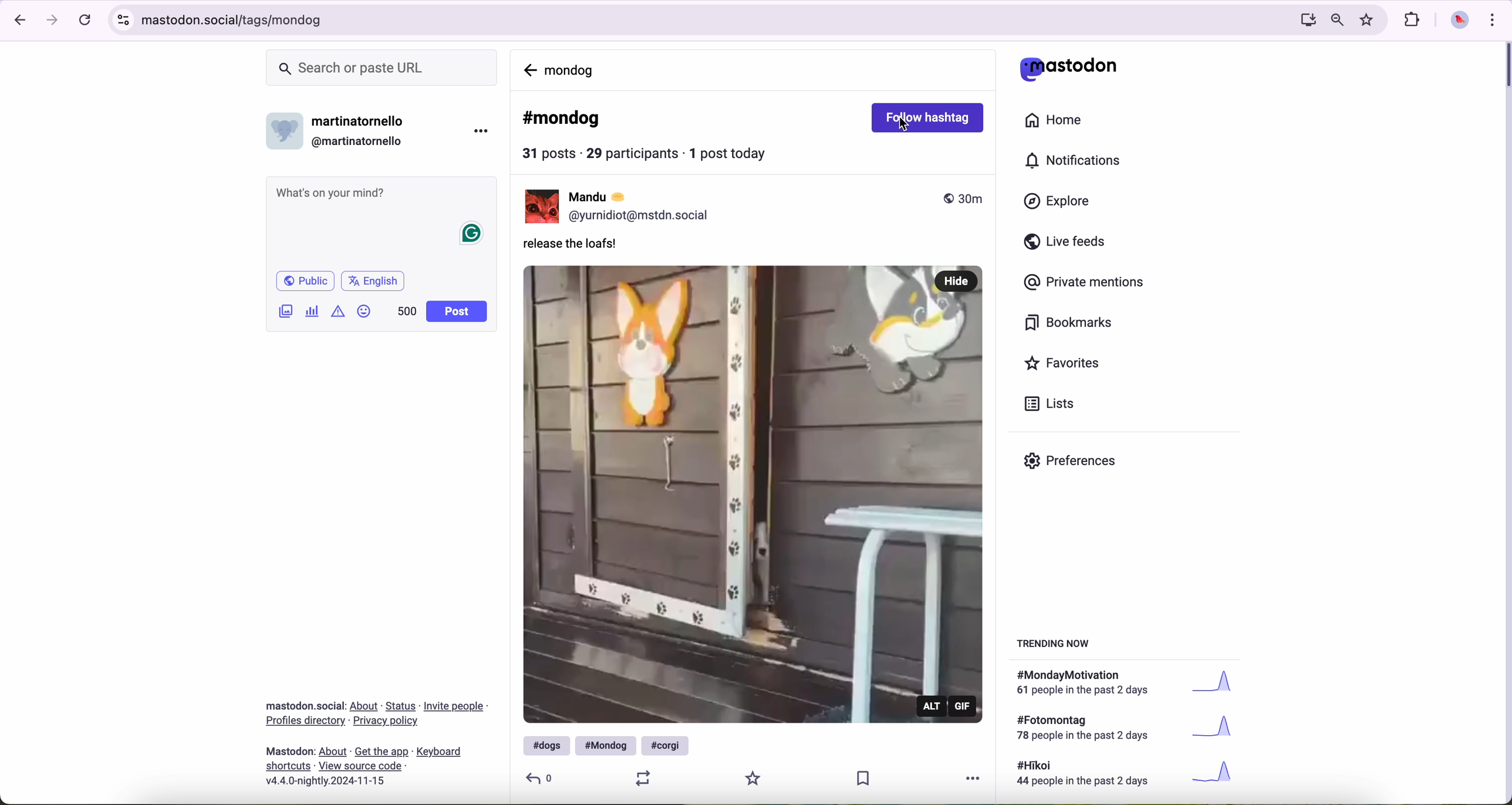  Describe the element at coordinates (733, 153) in the screenshot. I see `1 post today` at that location.